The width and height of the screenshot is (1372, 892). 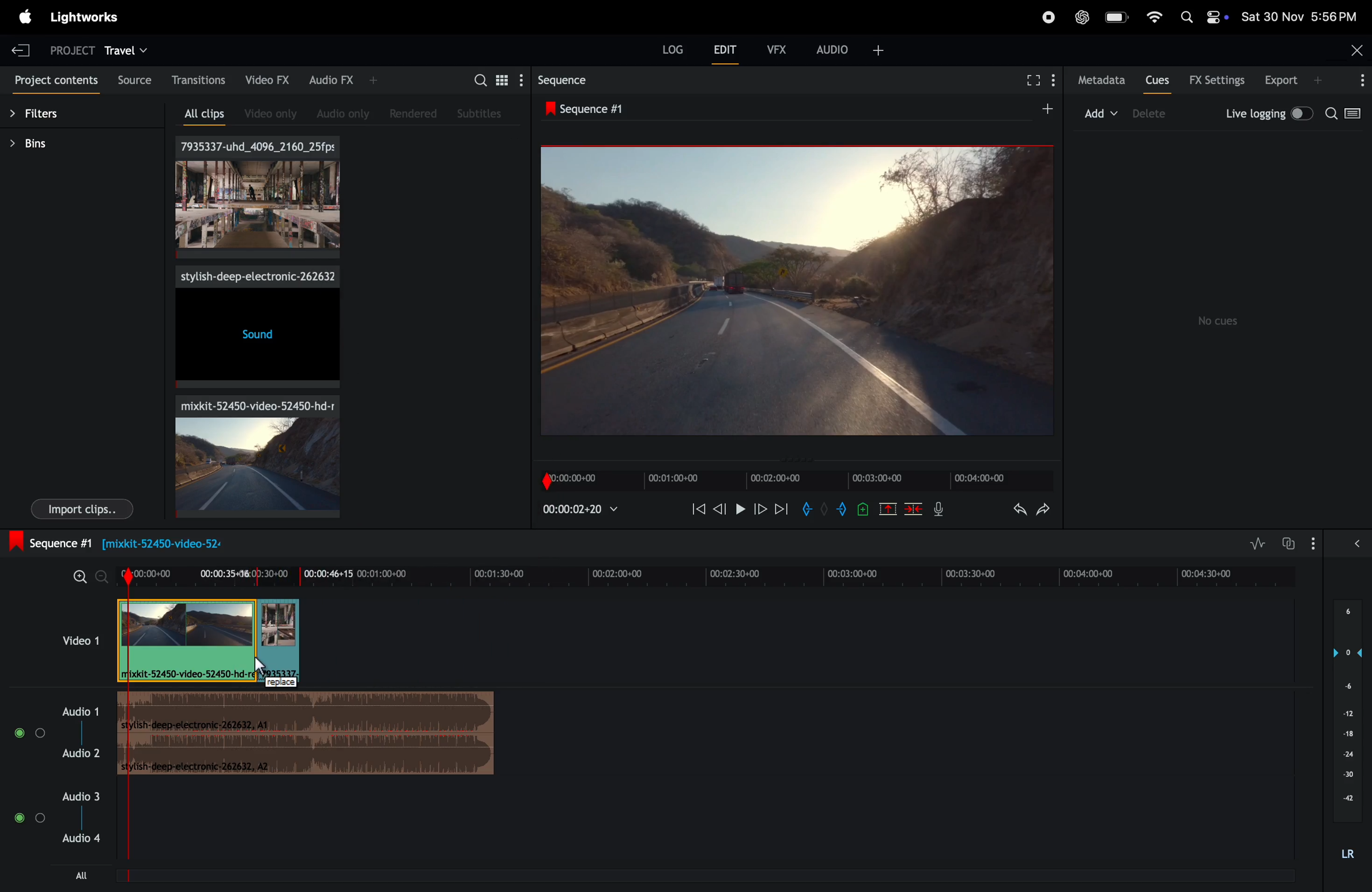 I want to click on add, so click(x=1039, y=110).